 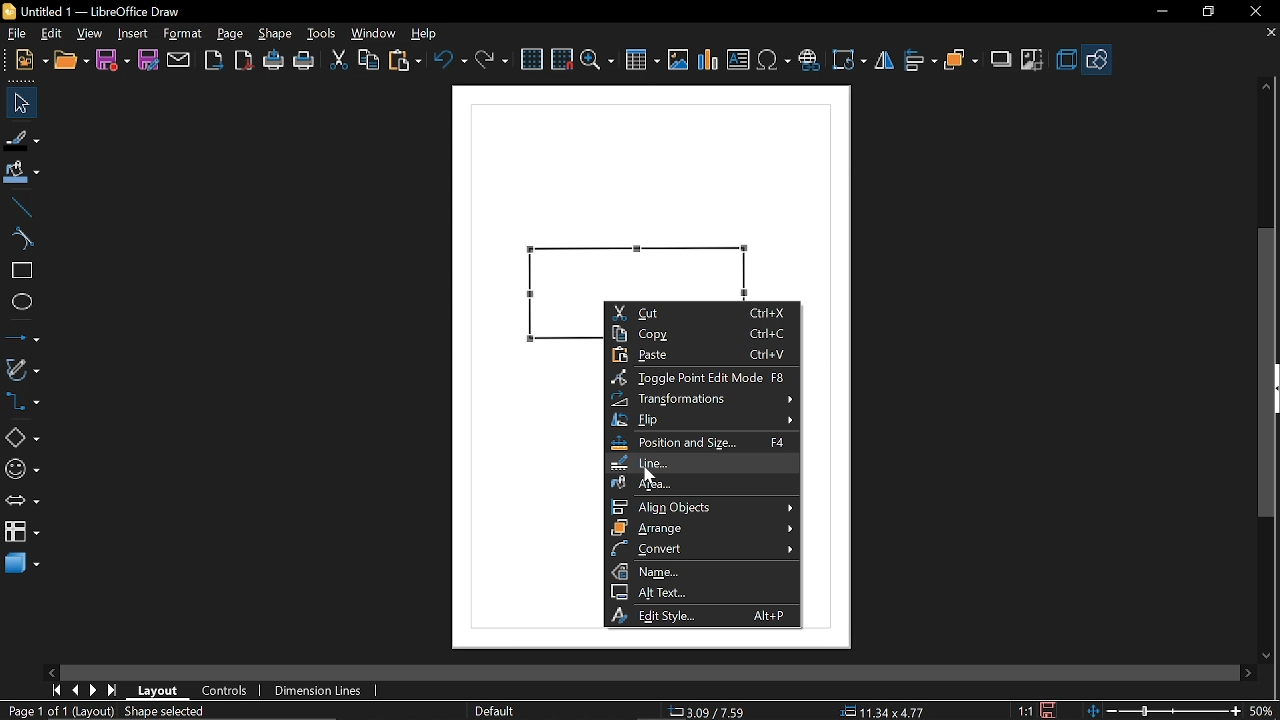 What do you see at coordinates (22, 367) in the screenshot?
I see `curves and polygons` at bounding box center [22, 367].